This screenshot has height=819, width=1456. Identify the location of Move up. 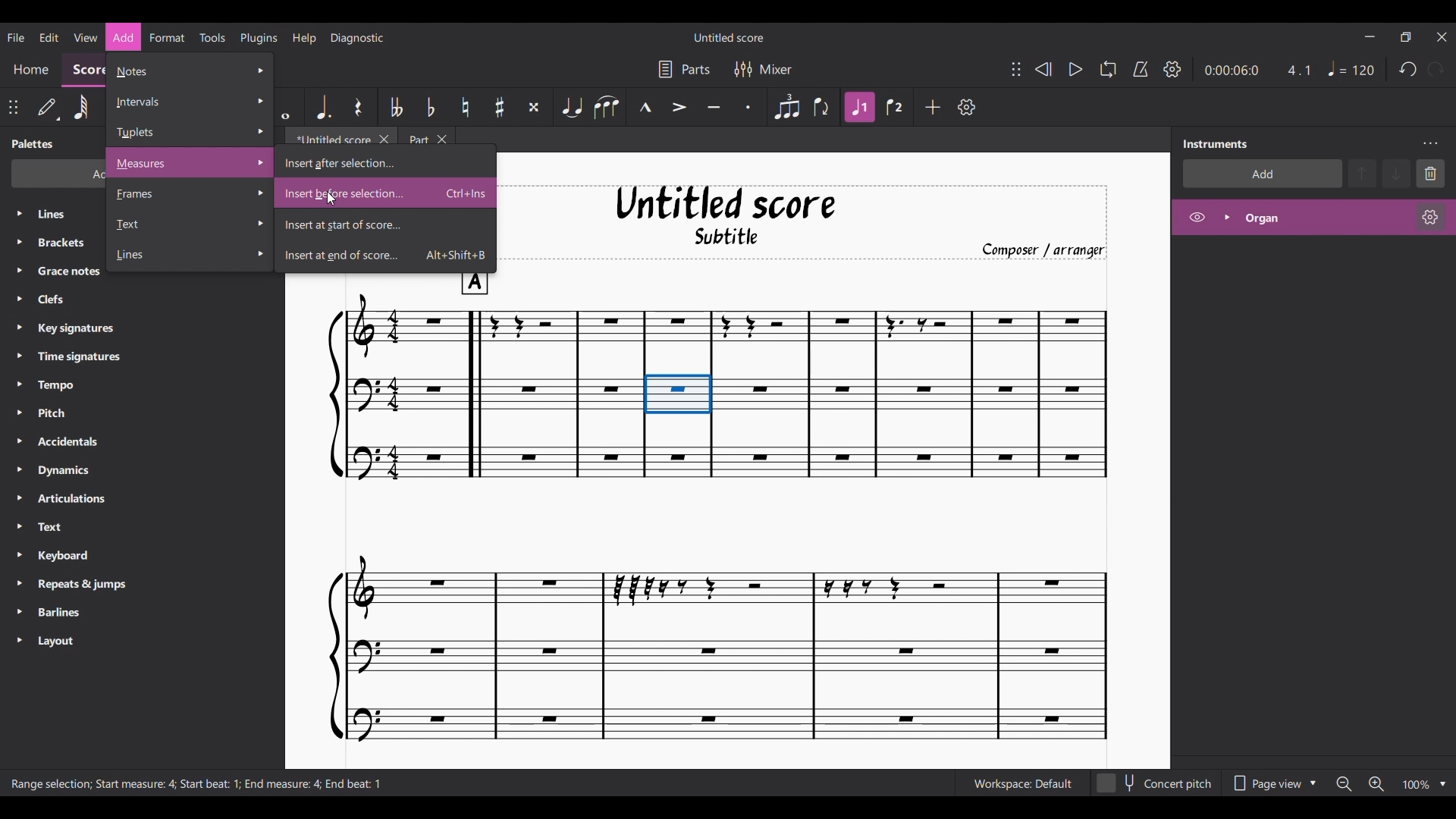
(1362, 173).